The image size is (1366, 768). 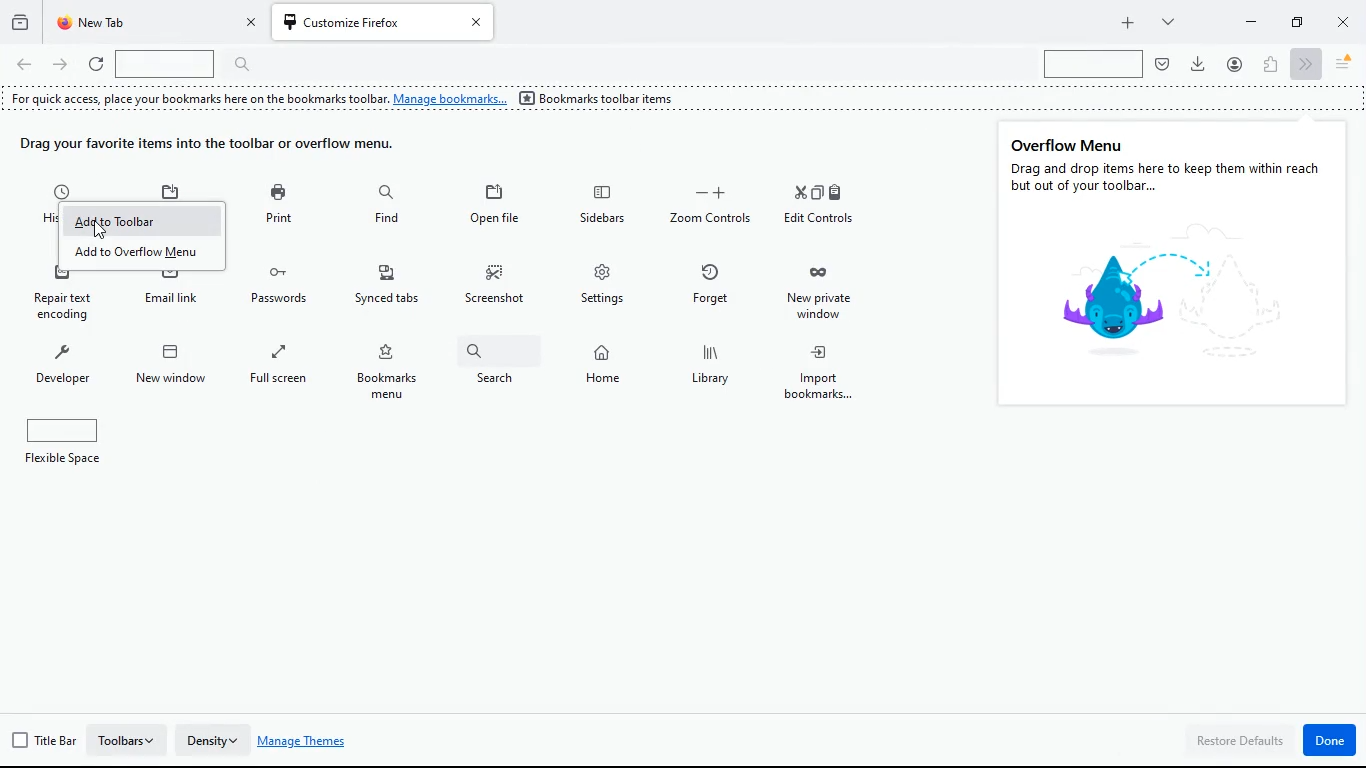 What do you see at coordinates (174, 371) in the screenshot?
I see `new window` at bounding box center [174, 371].